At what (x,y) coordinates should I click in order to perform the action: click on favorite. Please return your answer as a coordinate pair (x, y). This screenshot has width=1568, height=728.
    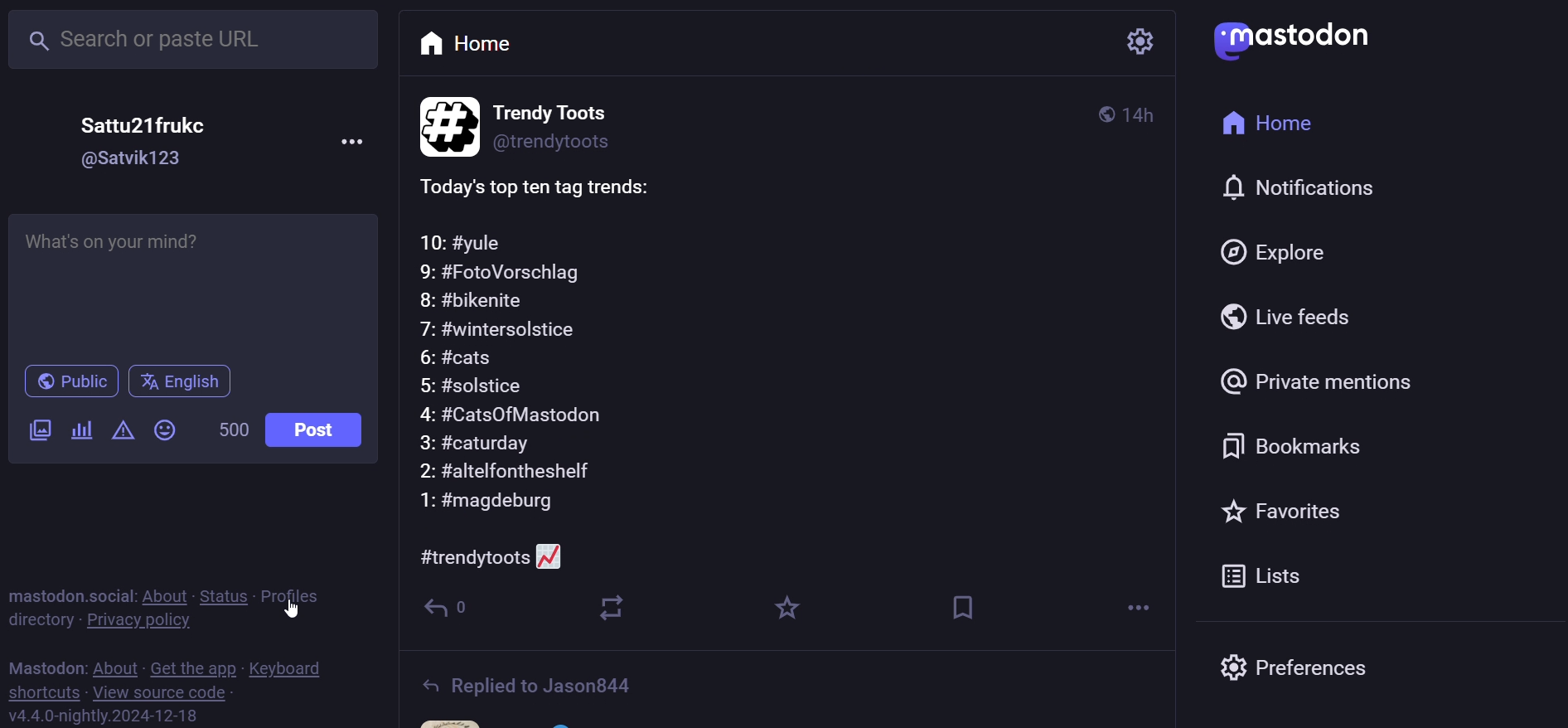
    Looking at the image, I should click on (793, 606).